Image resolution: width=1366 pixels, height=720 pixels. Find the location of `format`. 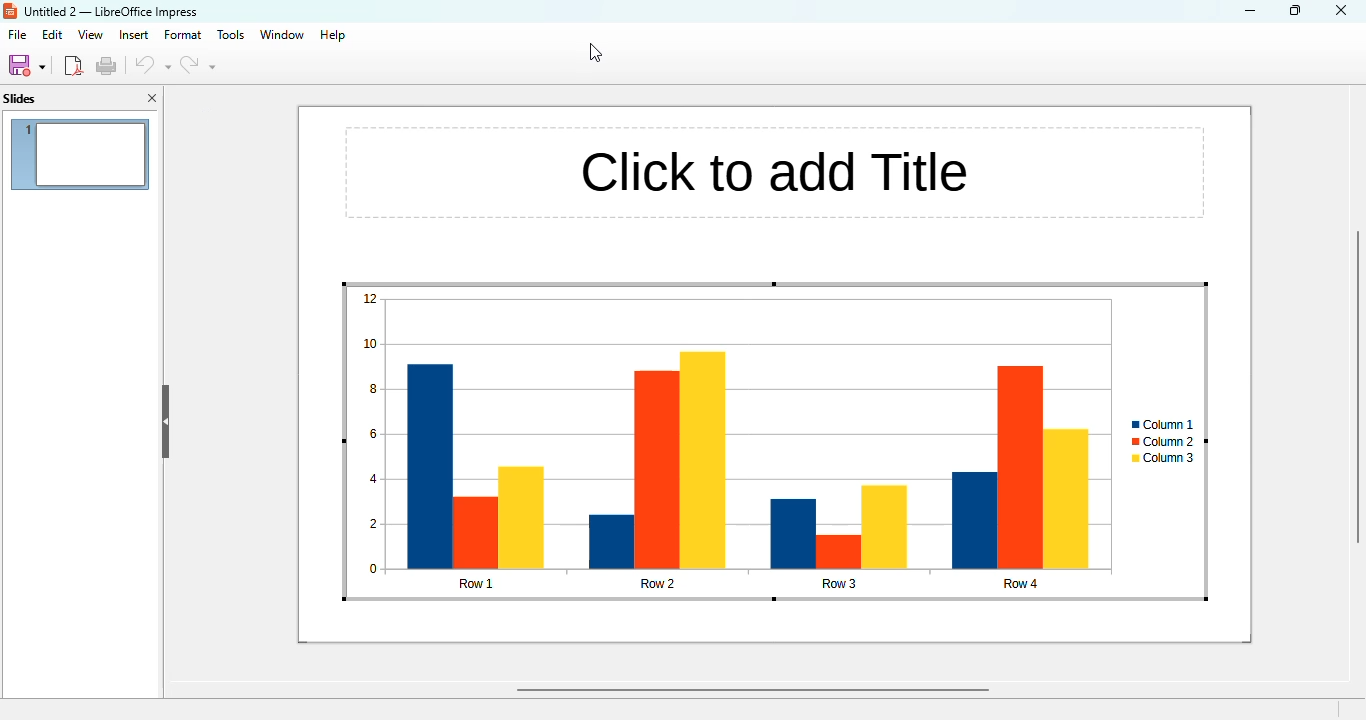

format is located at coordinates (184, 35).